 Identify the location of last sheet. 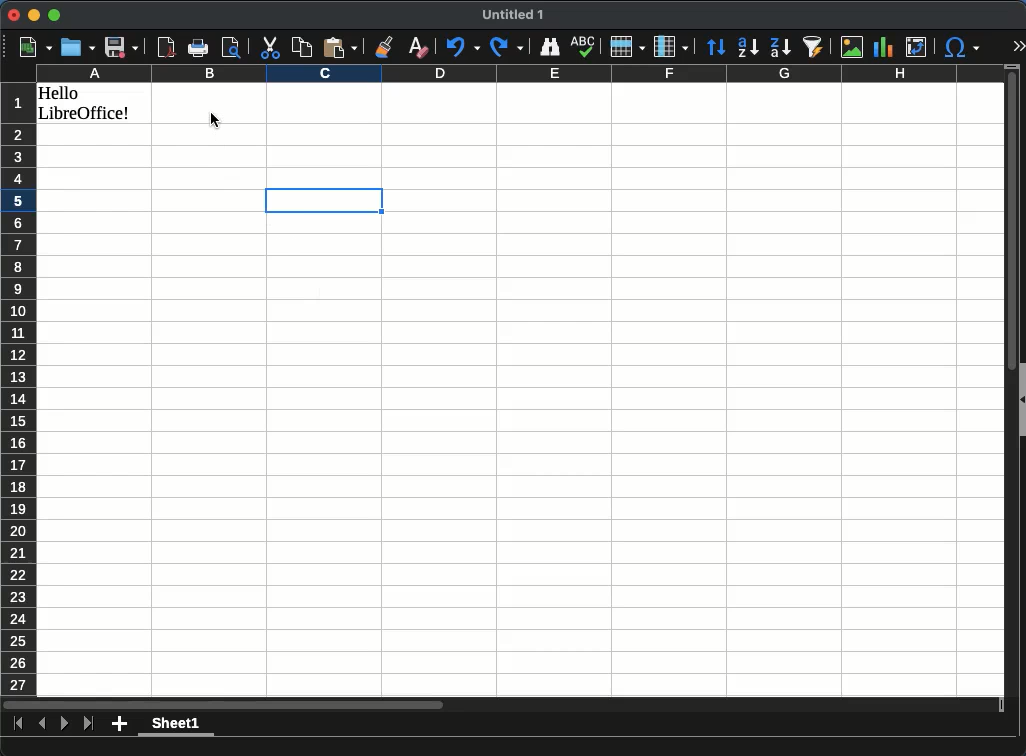
(89, 723).